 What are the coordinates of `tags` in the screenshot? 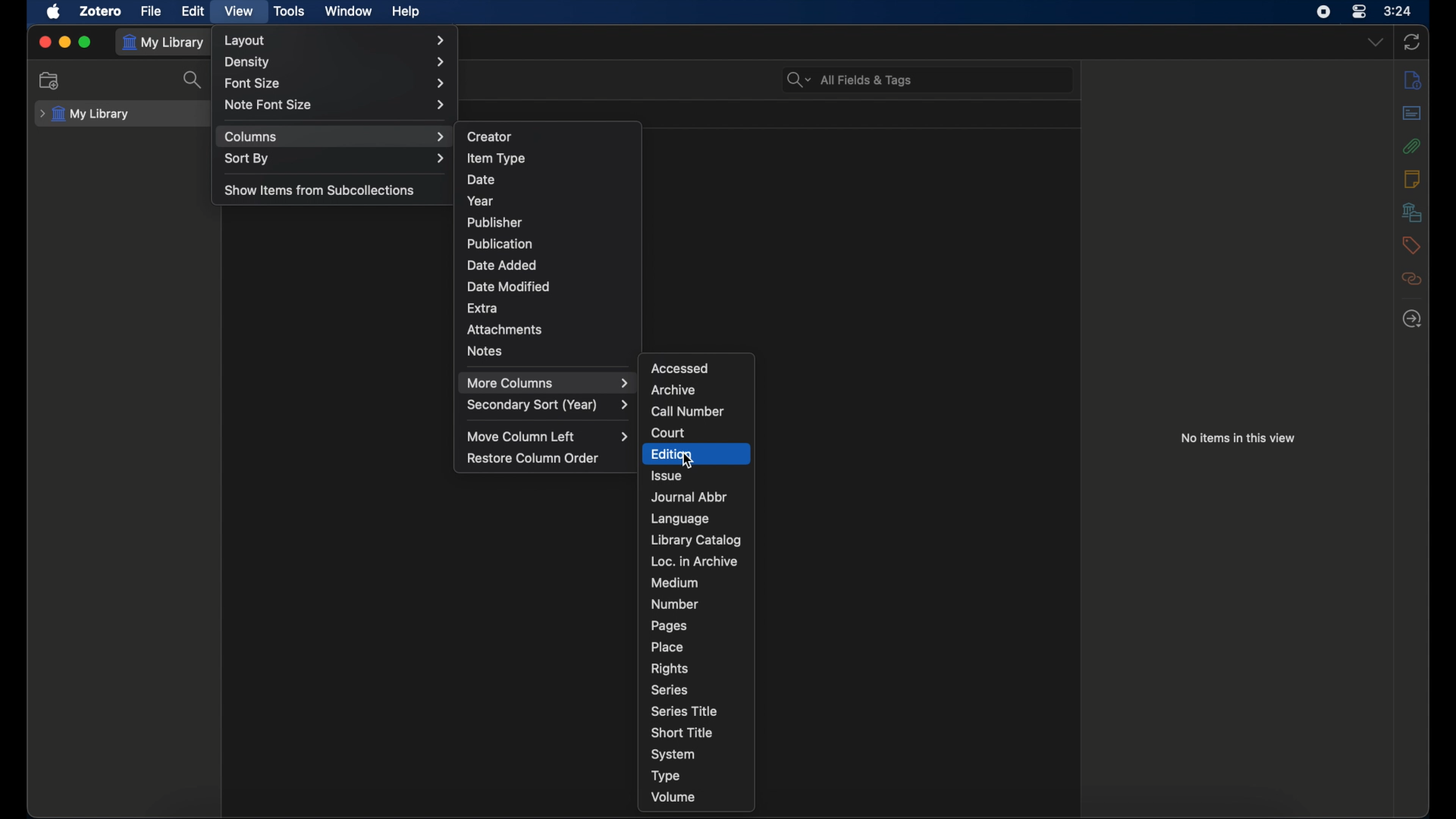 It's located at (1410, 245).